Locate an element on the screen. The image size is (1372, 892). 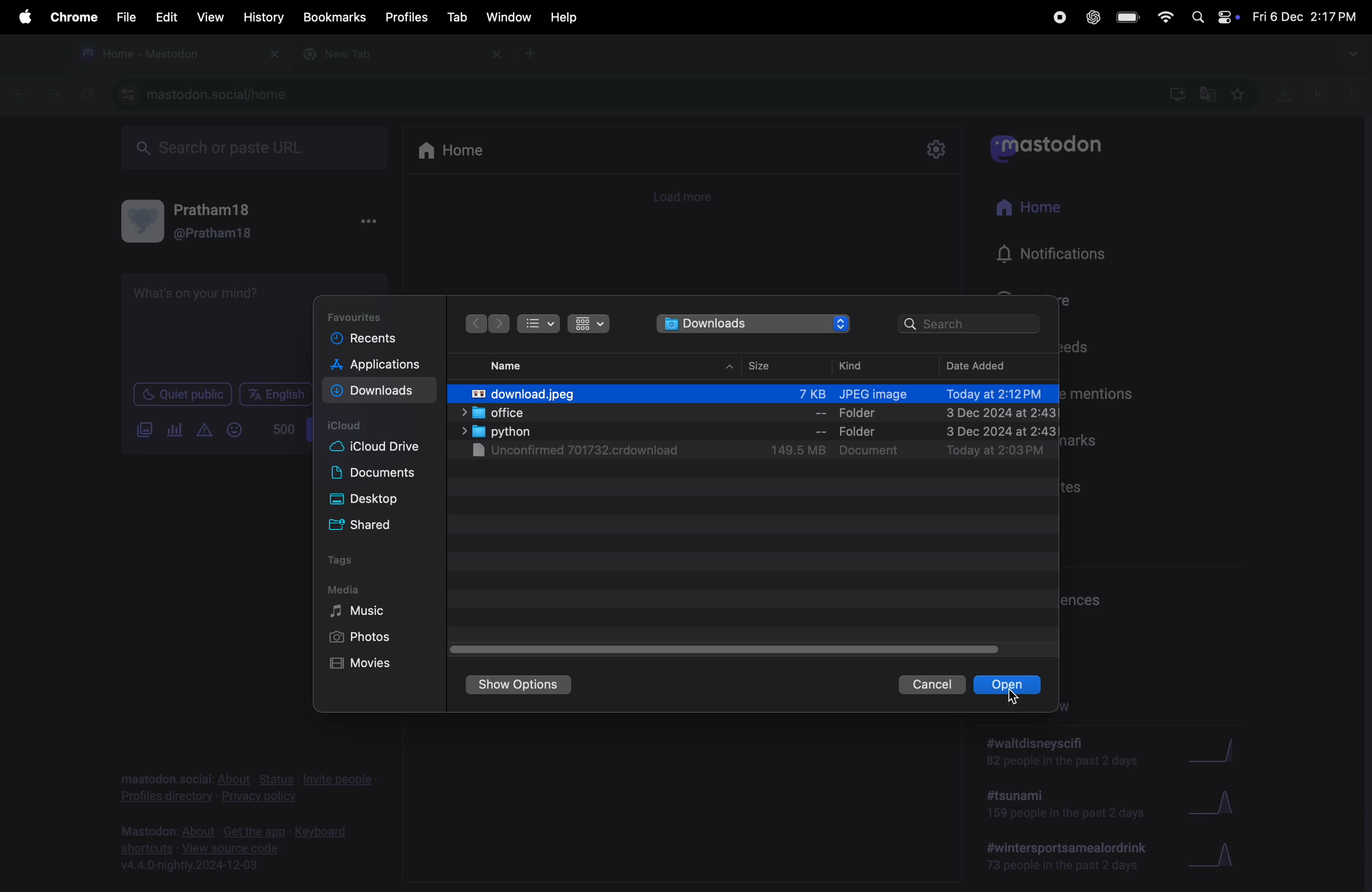
Quiet public is located at coordinates (181, 395).